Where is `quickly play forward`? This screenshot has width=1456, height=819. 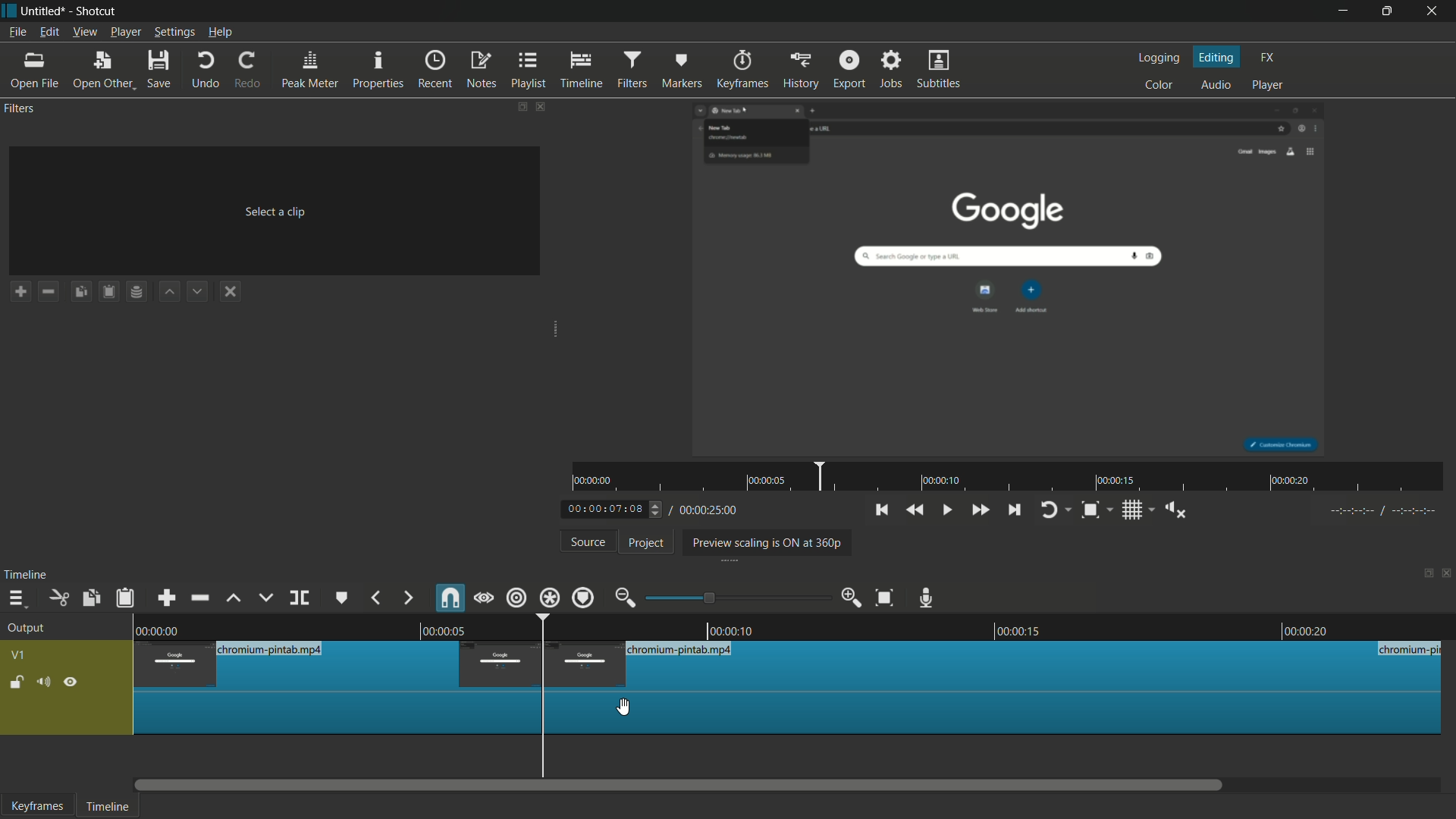
quickly play forward is located at coordinates (980, 510).